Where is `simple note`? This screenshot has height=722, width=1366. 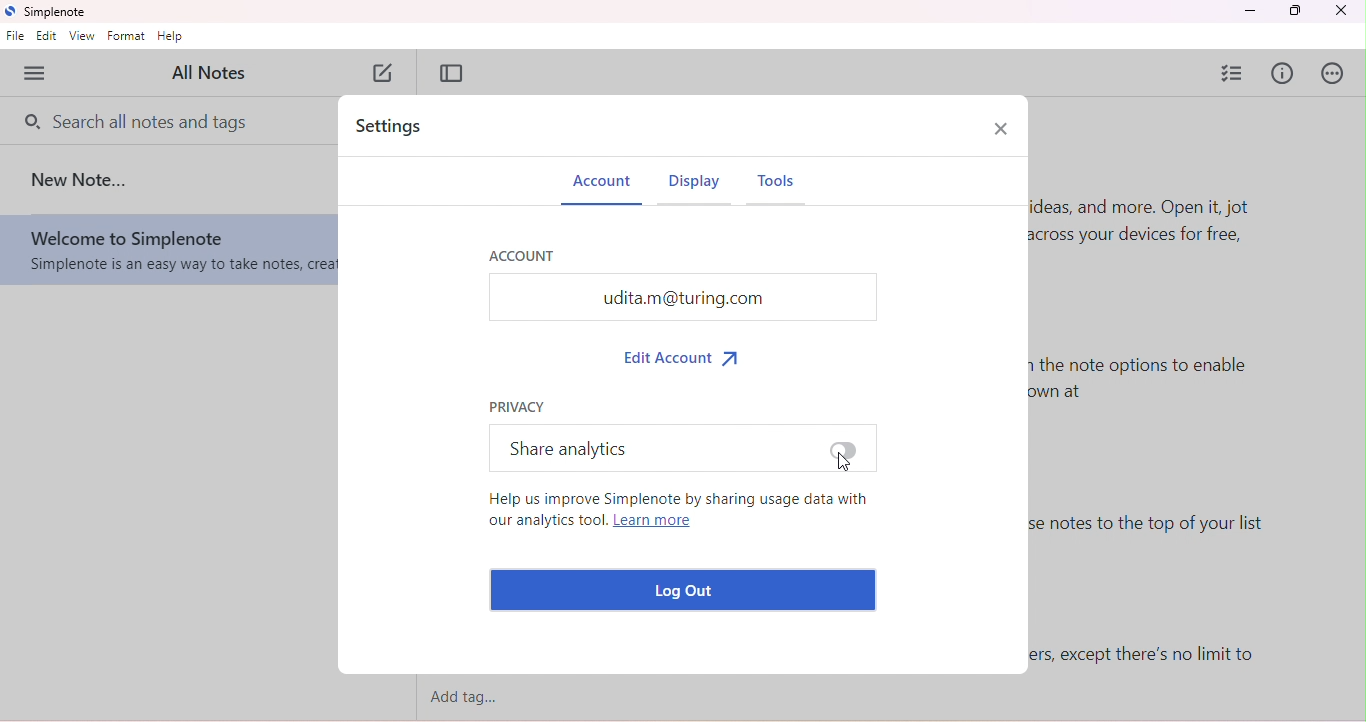 simple note is located at coordinates (50, 12).